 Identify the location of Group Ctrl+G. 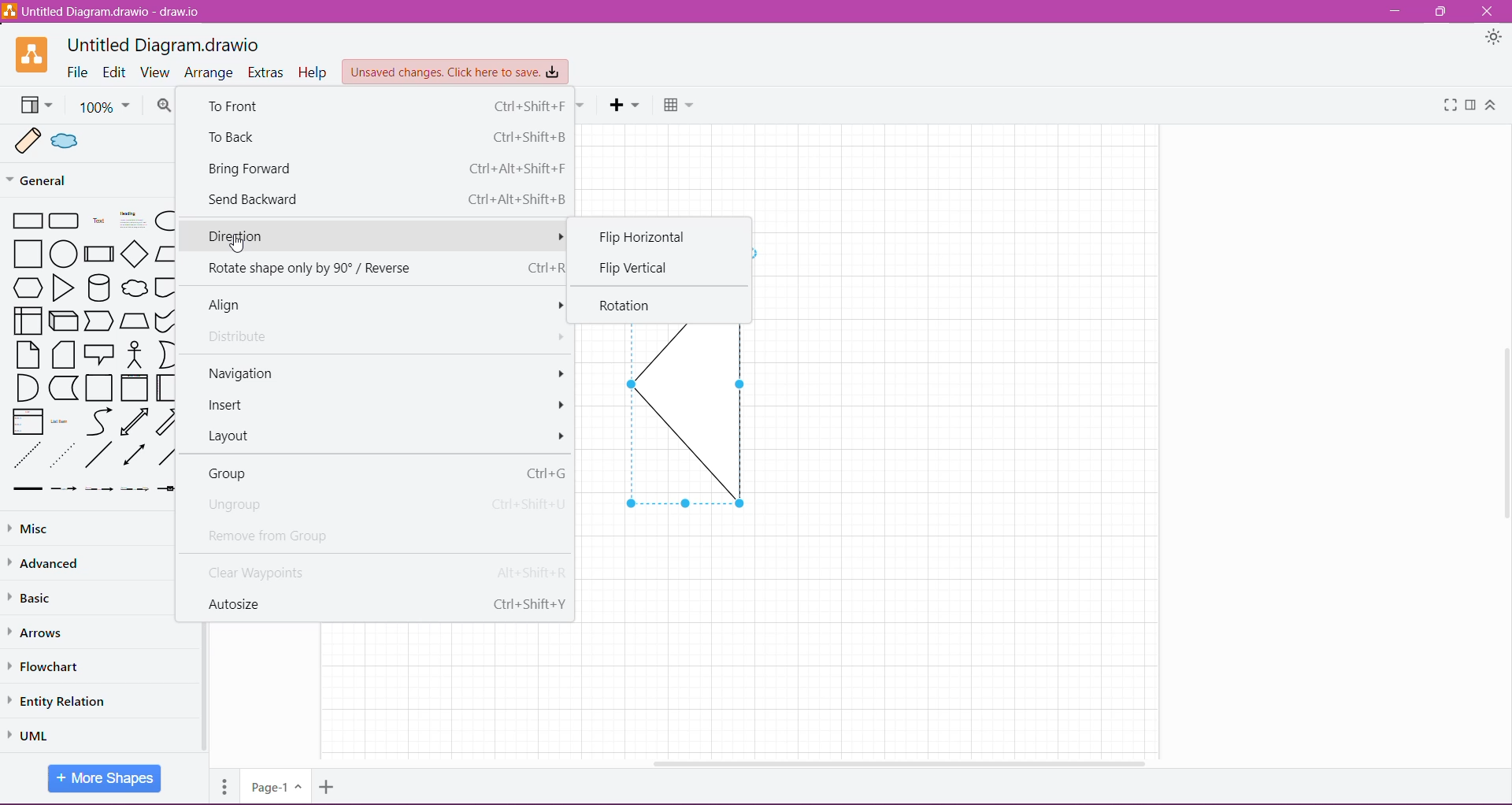
(384, 473).